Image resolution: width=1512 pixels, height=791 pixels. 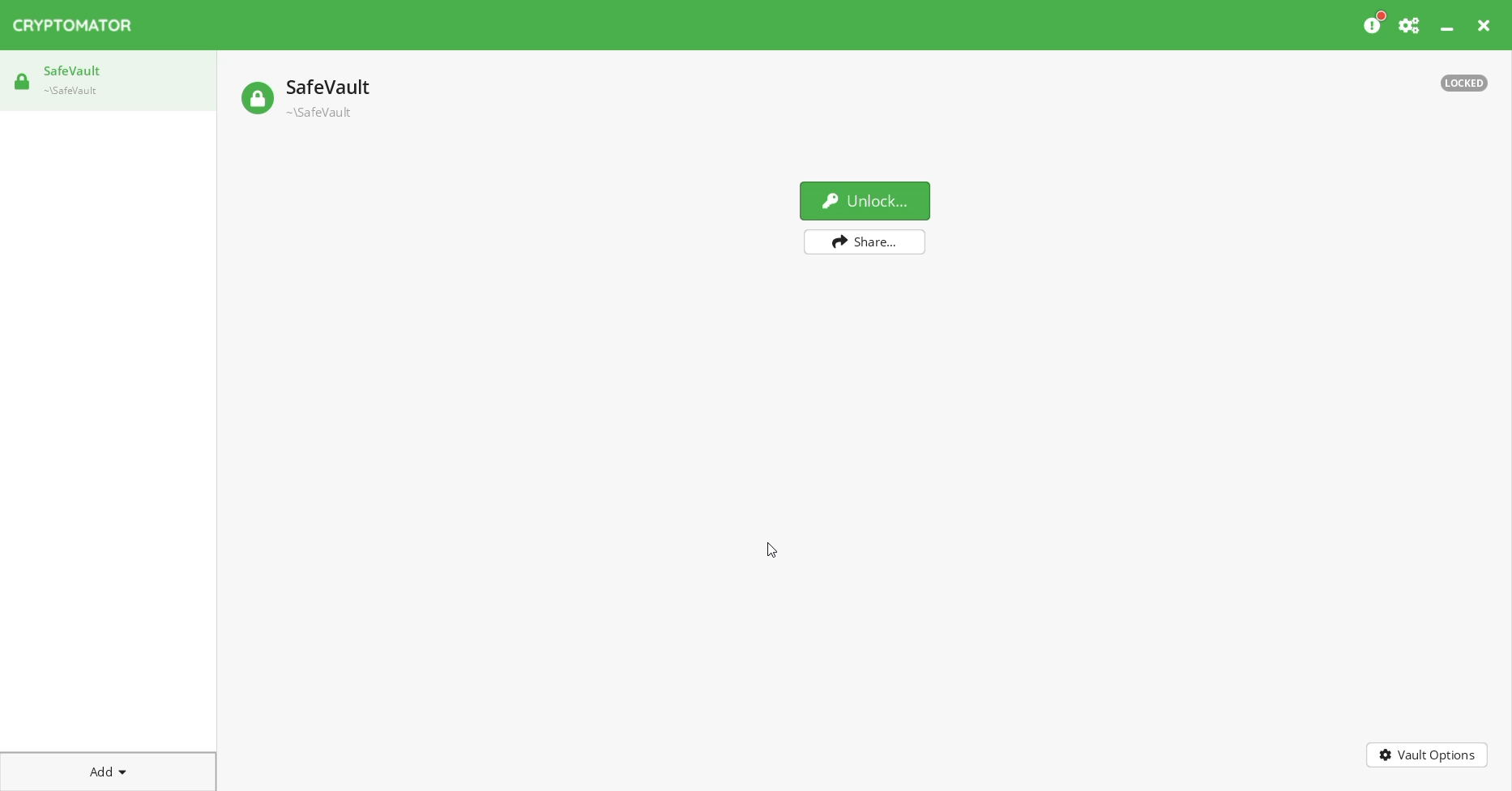 I want to click on Close, so click(x=1486, y=25).